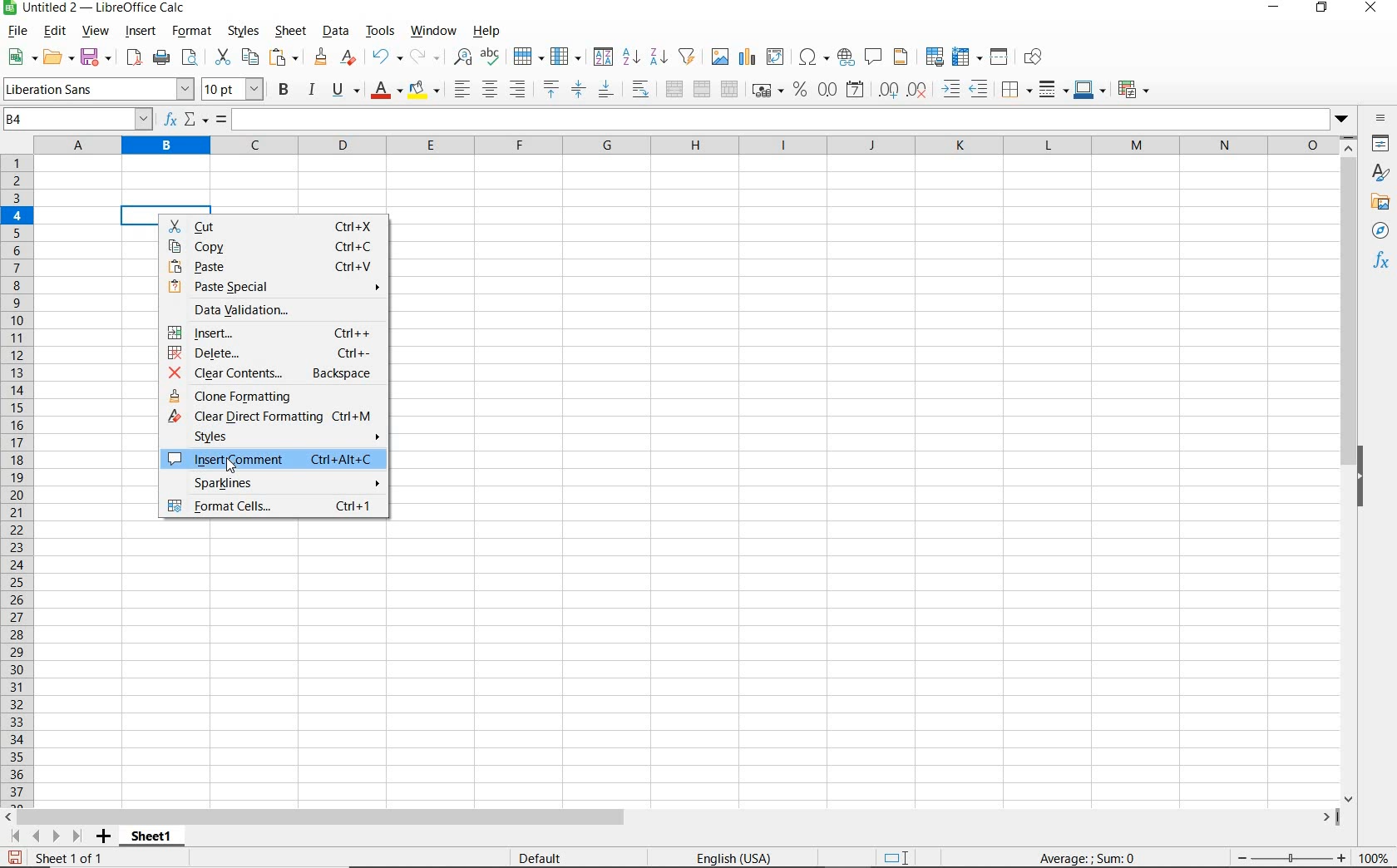 The image size is (1397, 868). Describe the element at coordinates (602, 57) in the screenshot. I see `sort` at that location.